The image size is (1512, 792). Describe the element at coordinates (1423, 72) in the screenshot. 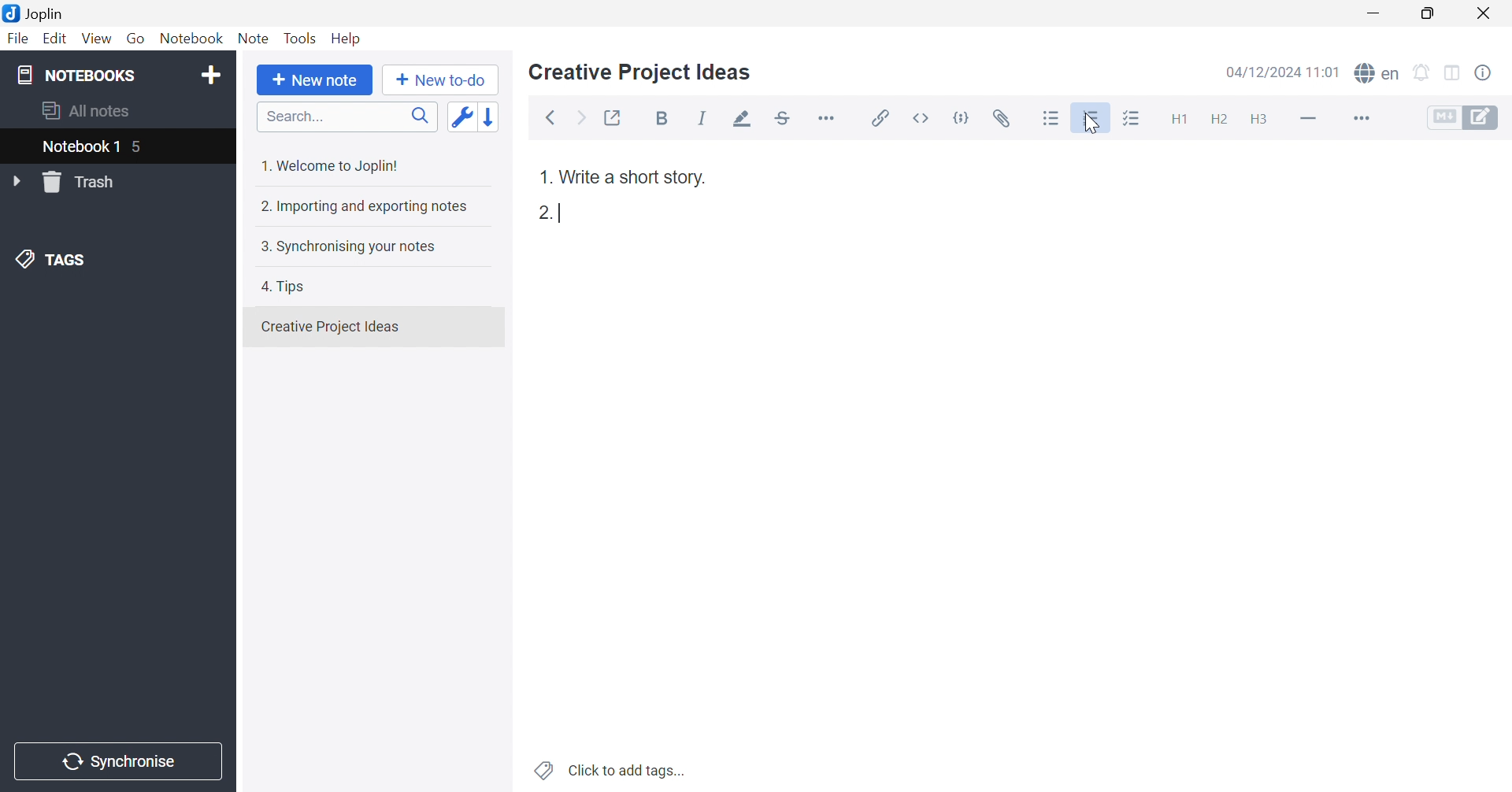

I see `Set alarm` at that location.